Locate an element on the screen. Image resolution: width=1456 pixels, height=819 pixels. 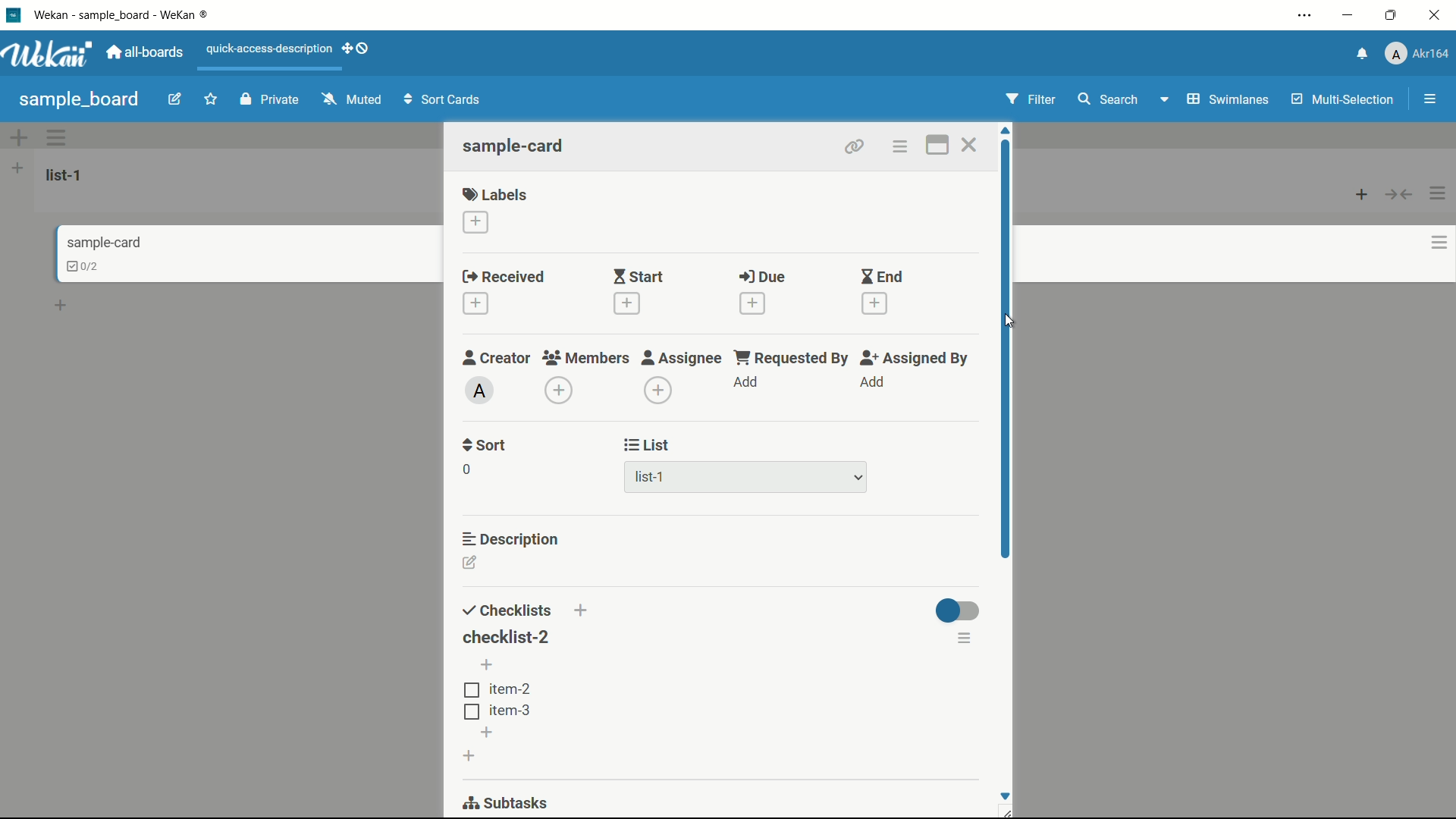
card name is located at coordinates (102, 243).